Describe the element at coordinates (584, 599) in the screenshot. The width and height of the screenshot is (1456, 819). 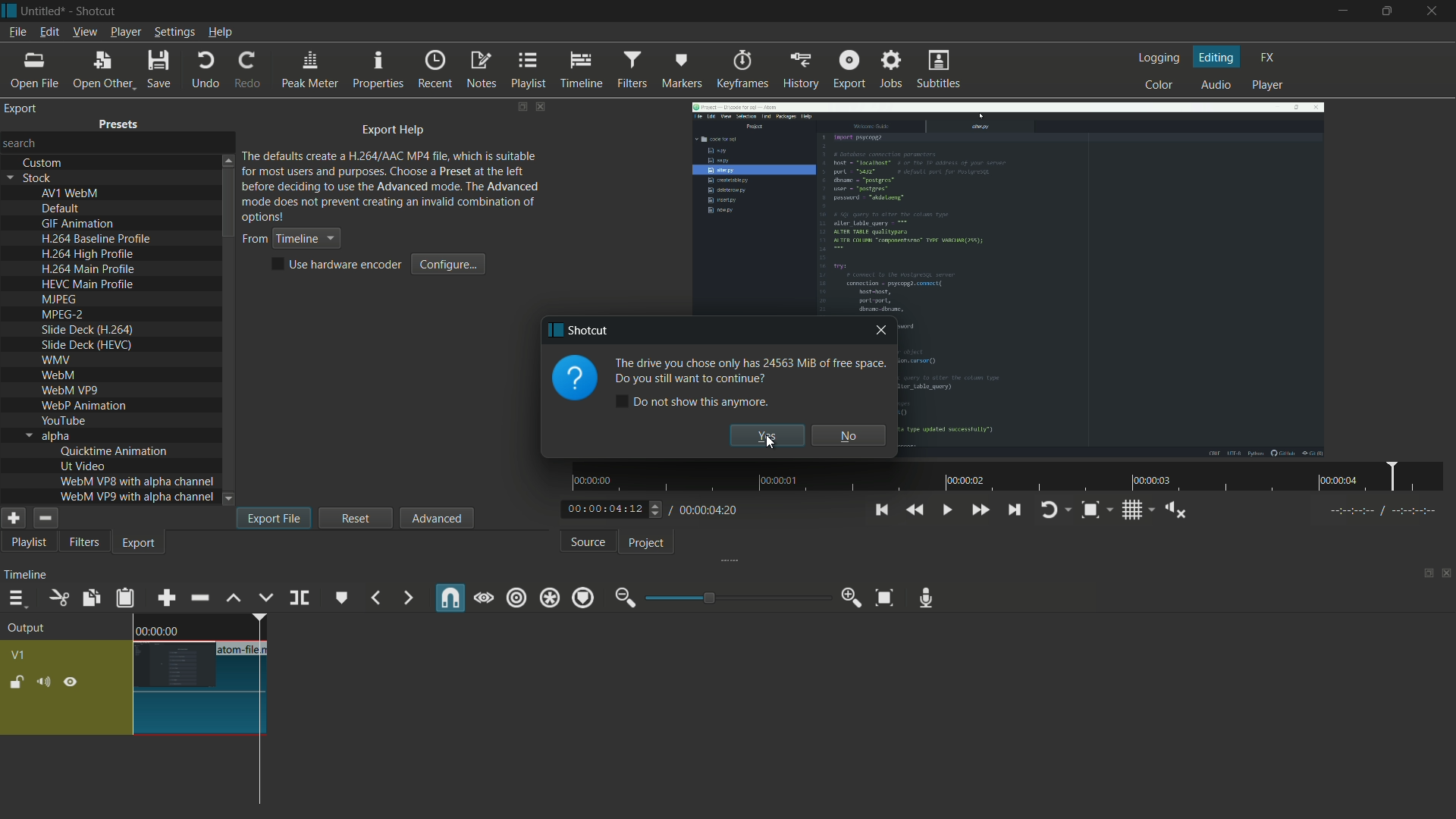
I see `ripple markers` at that location.